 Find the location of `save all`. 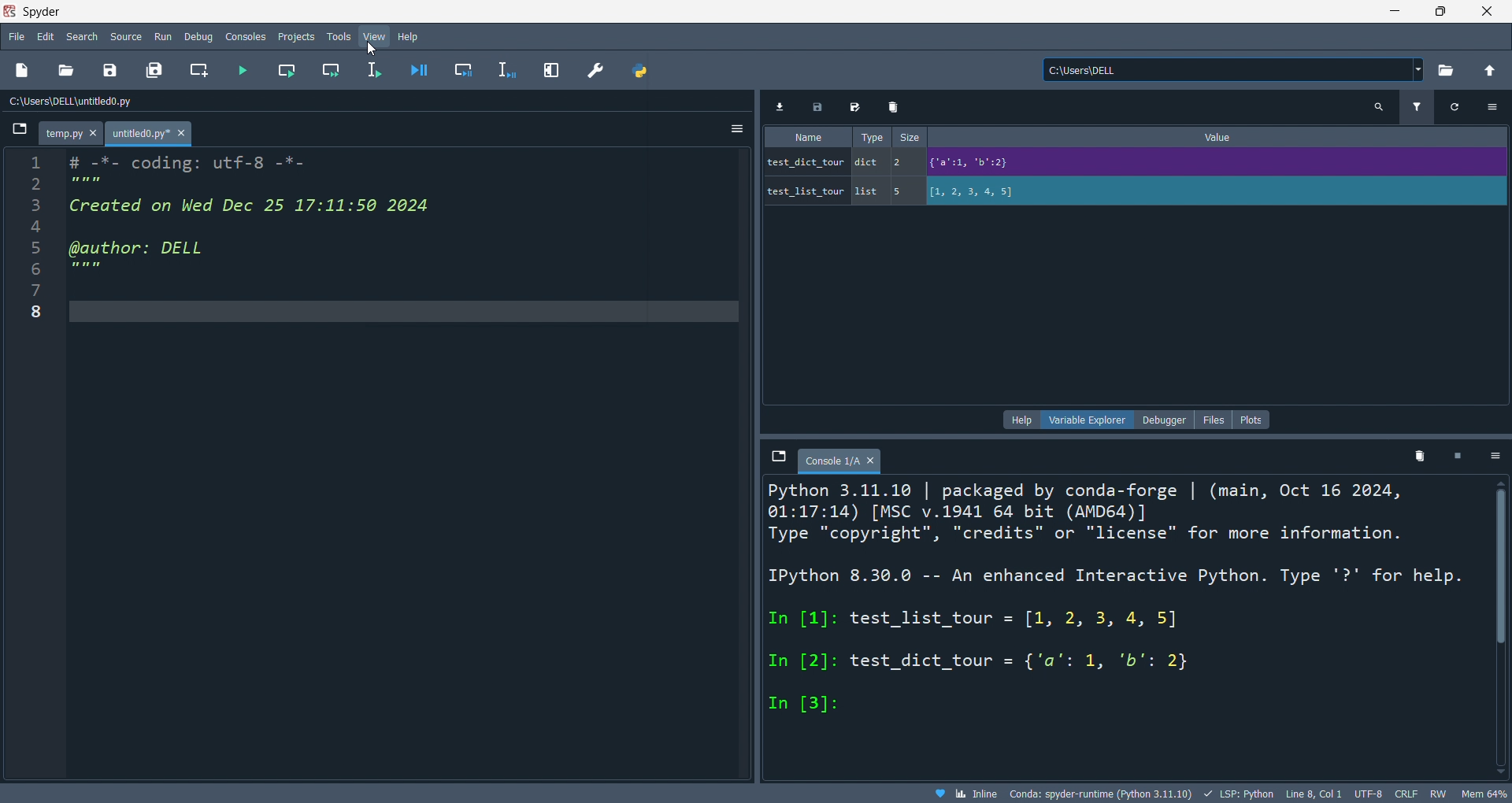

save all is located at coordinates (154, 71).